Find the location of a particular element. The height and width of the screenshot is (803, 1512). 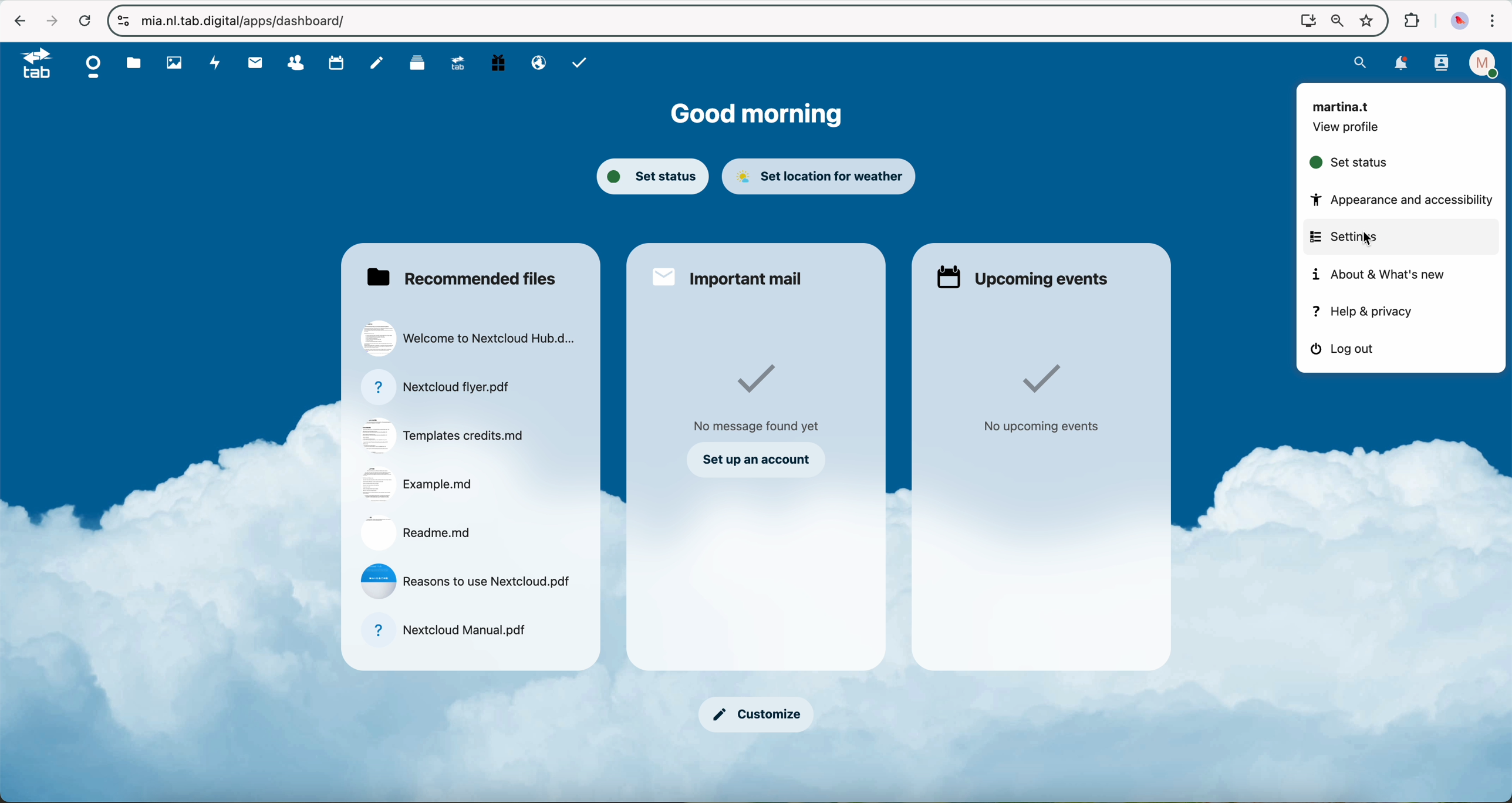

set status is located at coordinates (652, 178).